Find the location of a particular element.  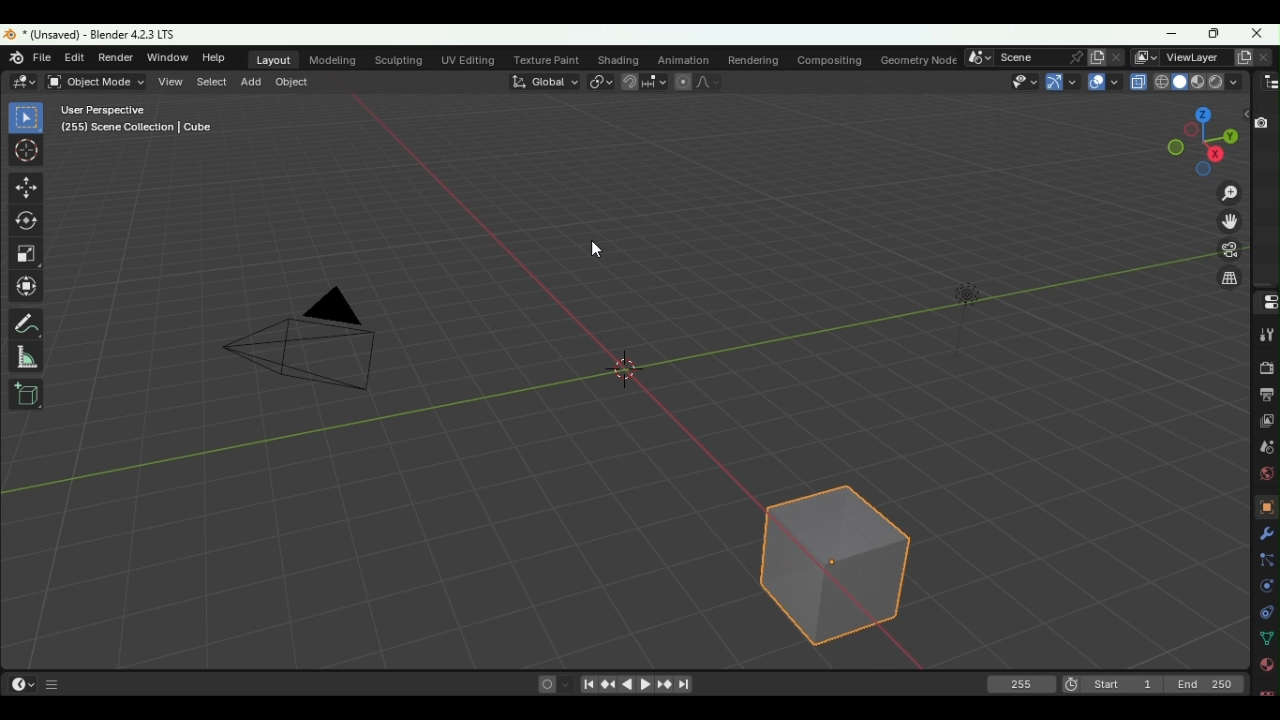

Render is located at coordinates (1269, 368).